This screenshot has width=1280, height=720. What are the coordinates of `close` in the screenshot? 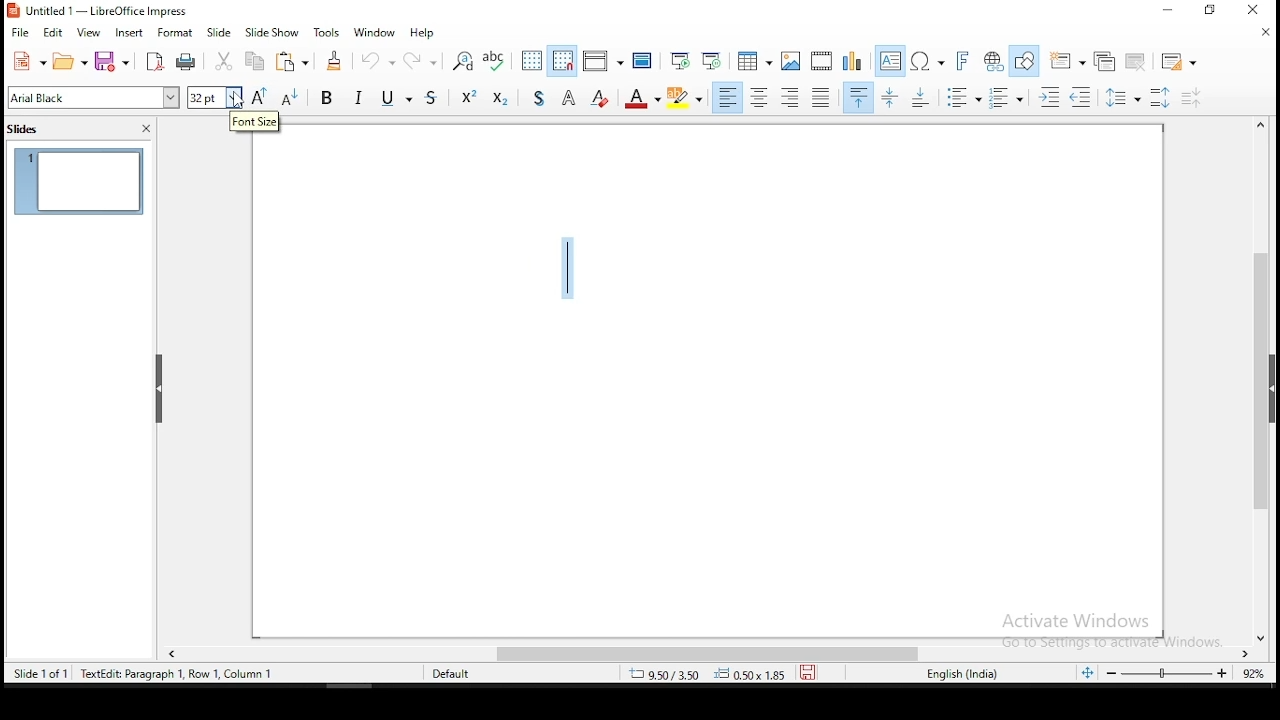 It's located at (146, 129).